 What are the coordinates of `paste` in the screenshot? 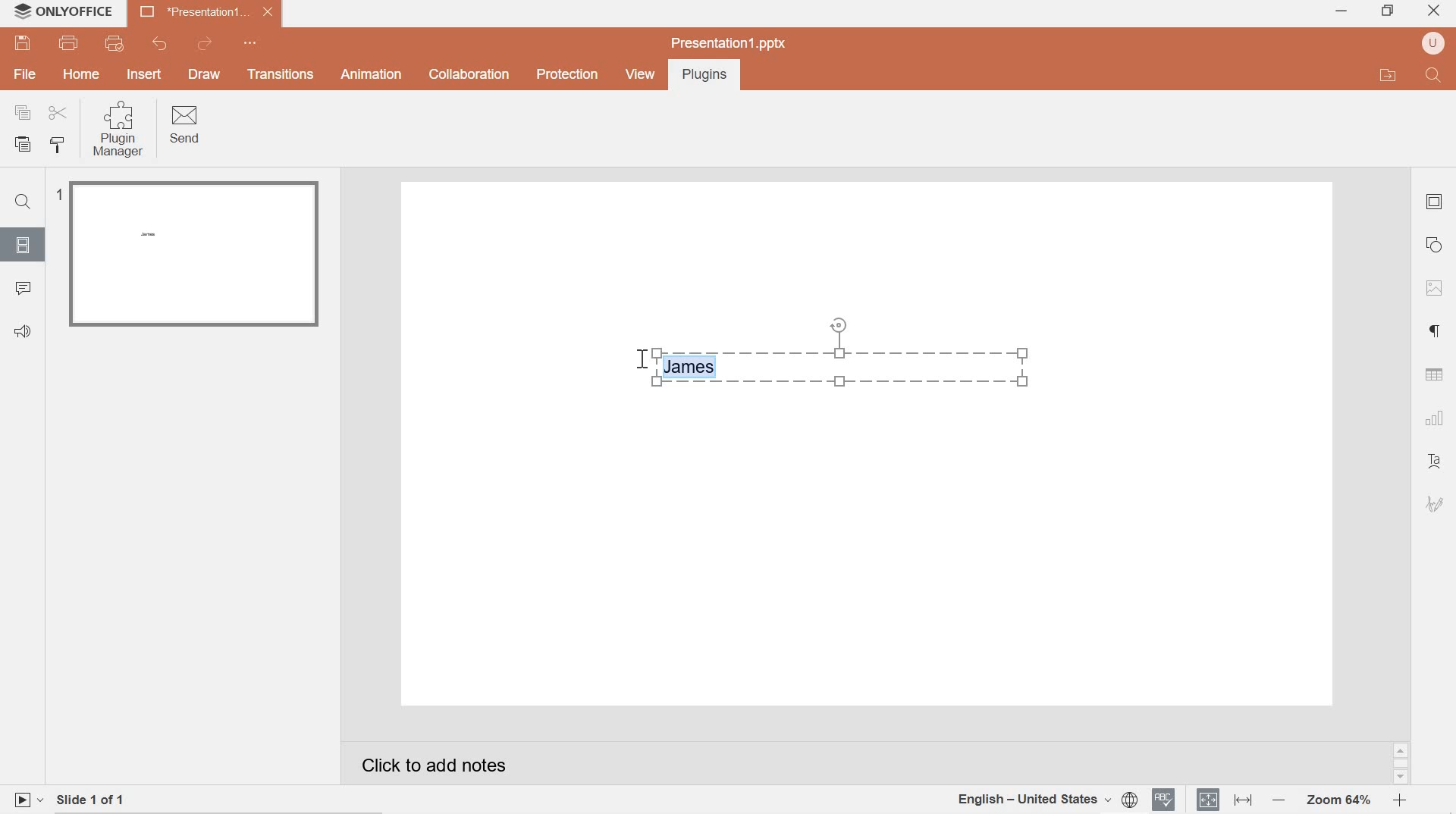 It's located at (26, 145).